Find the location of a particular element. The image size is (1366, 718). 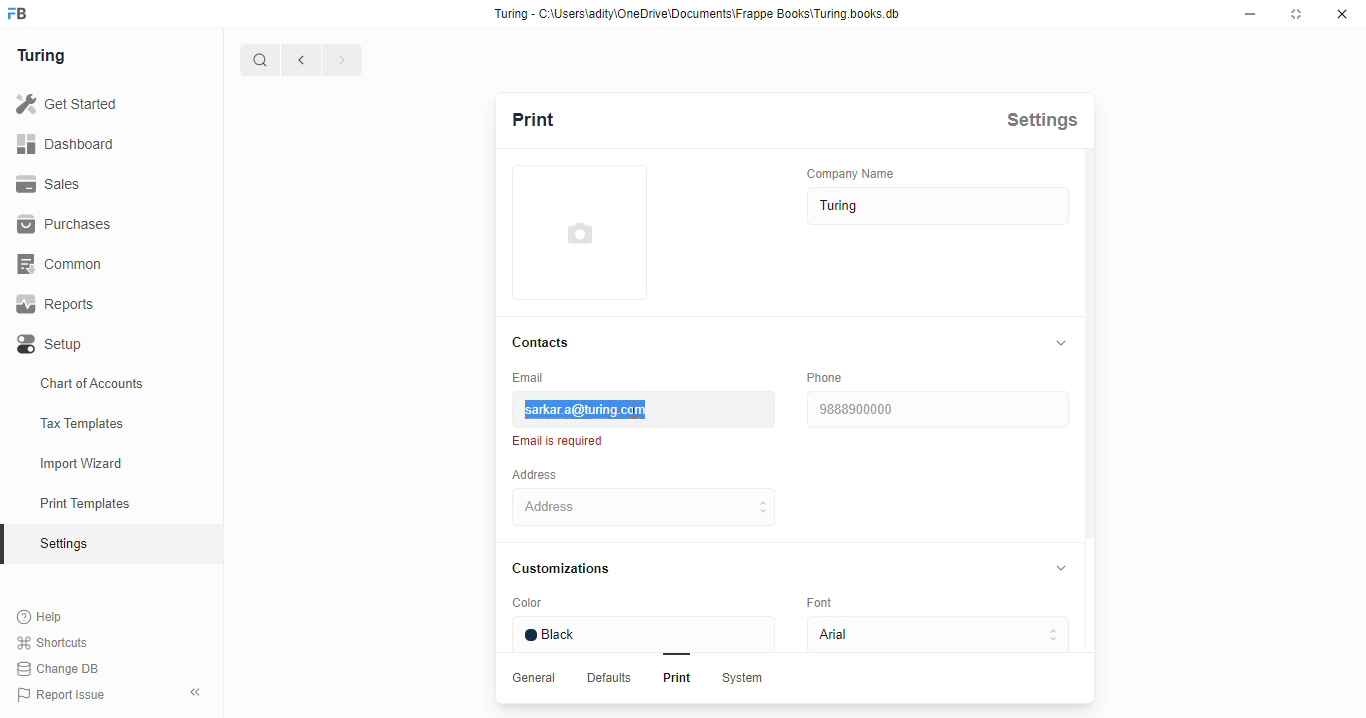

Help is located at coordinates (54, 616).